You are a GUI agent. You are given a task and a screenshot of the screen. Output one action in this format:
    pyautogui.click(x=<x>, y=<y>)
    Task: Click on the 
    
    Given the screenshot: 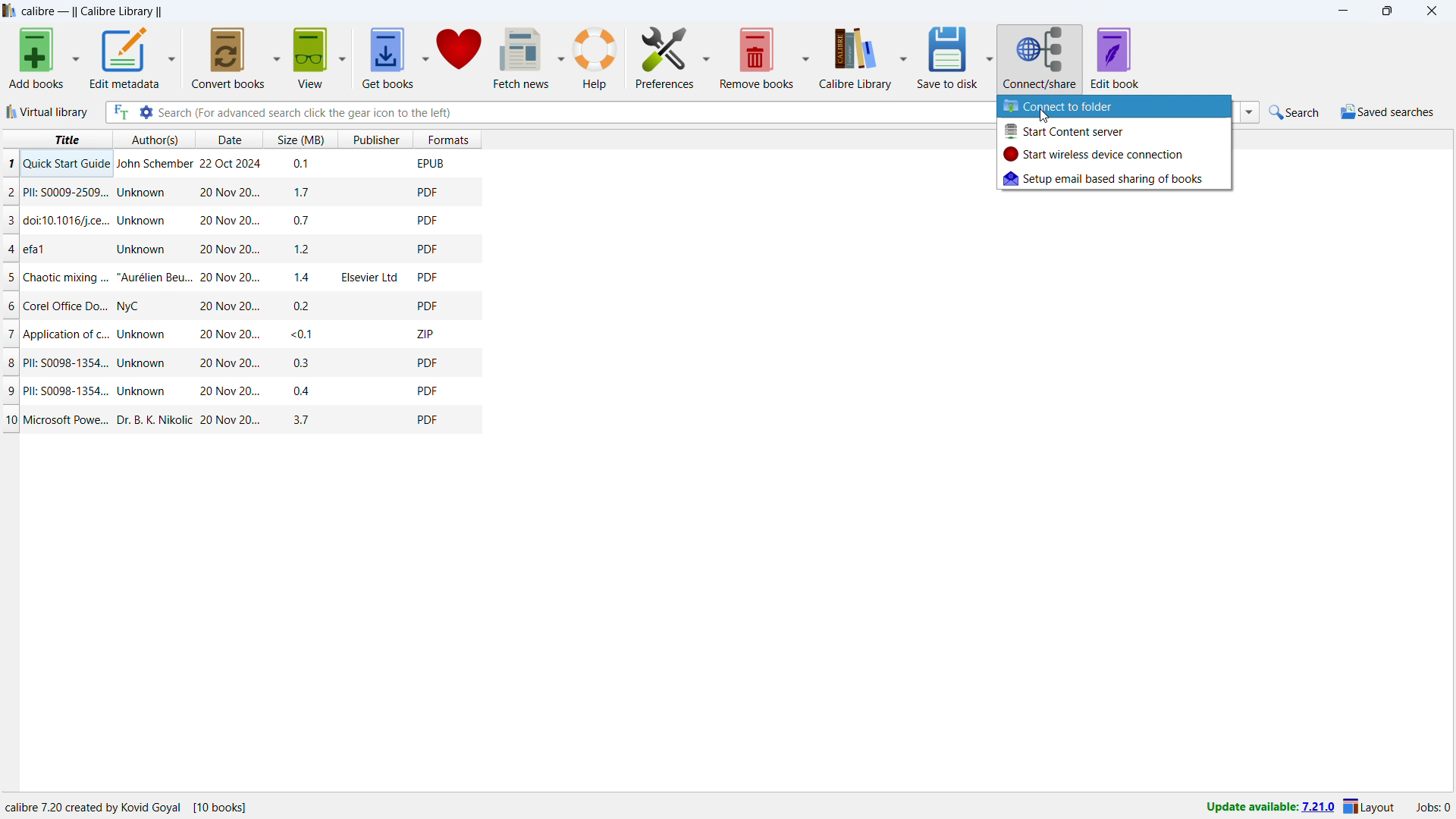 What is the action you would take?
    pyautogui.click(x=947, y=59)
    